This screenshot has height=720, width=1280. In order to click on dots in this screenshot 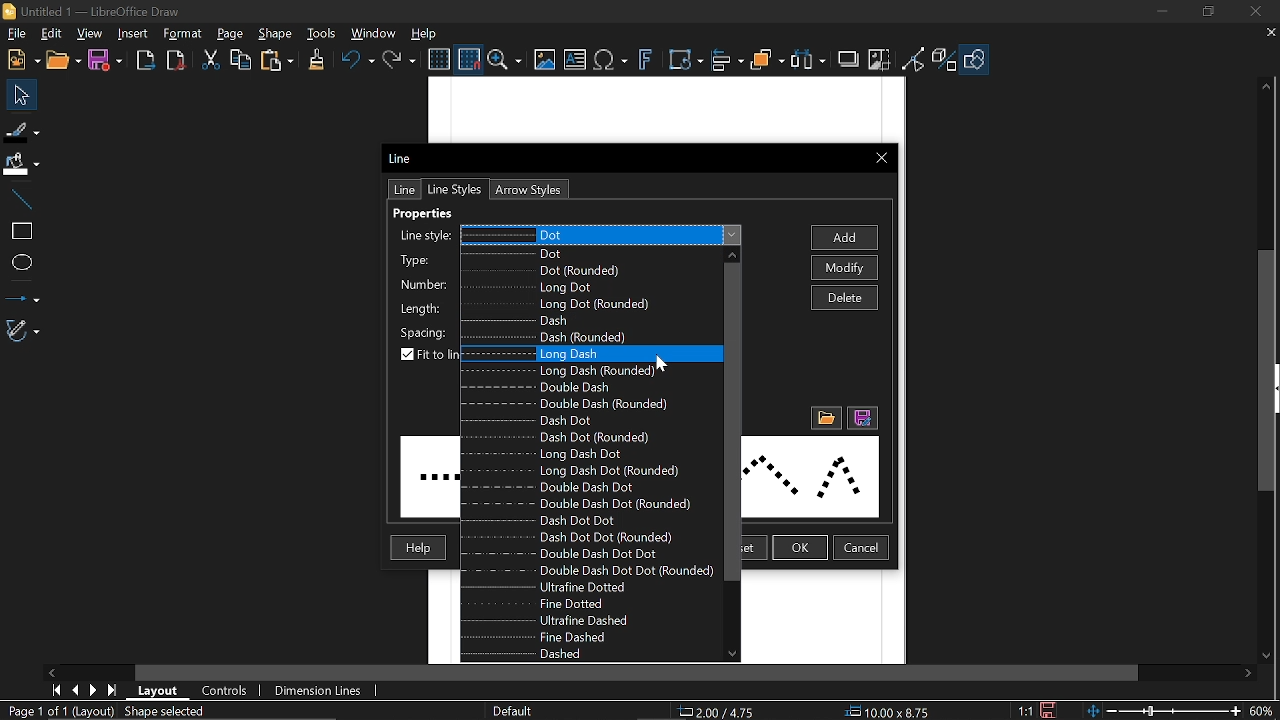, I will do `click(429, 477)`.